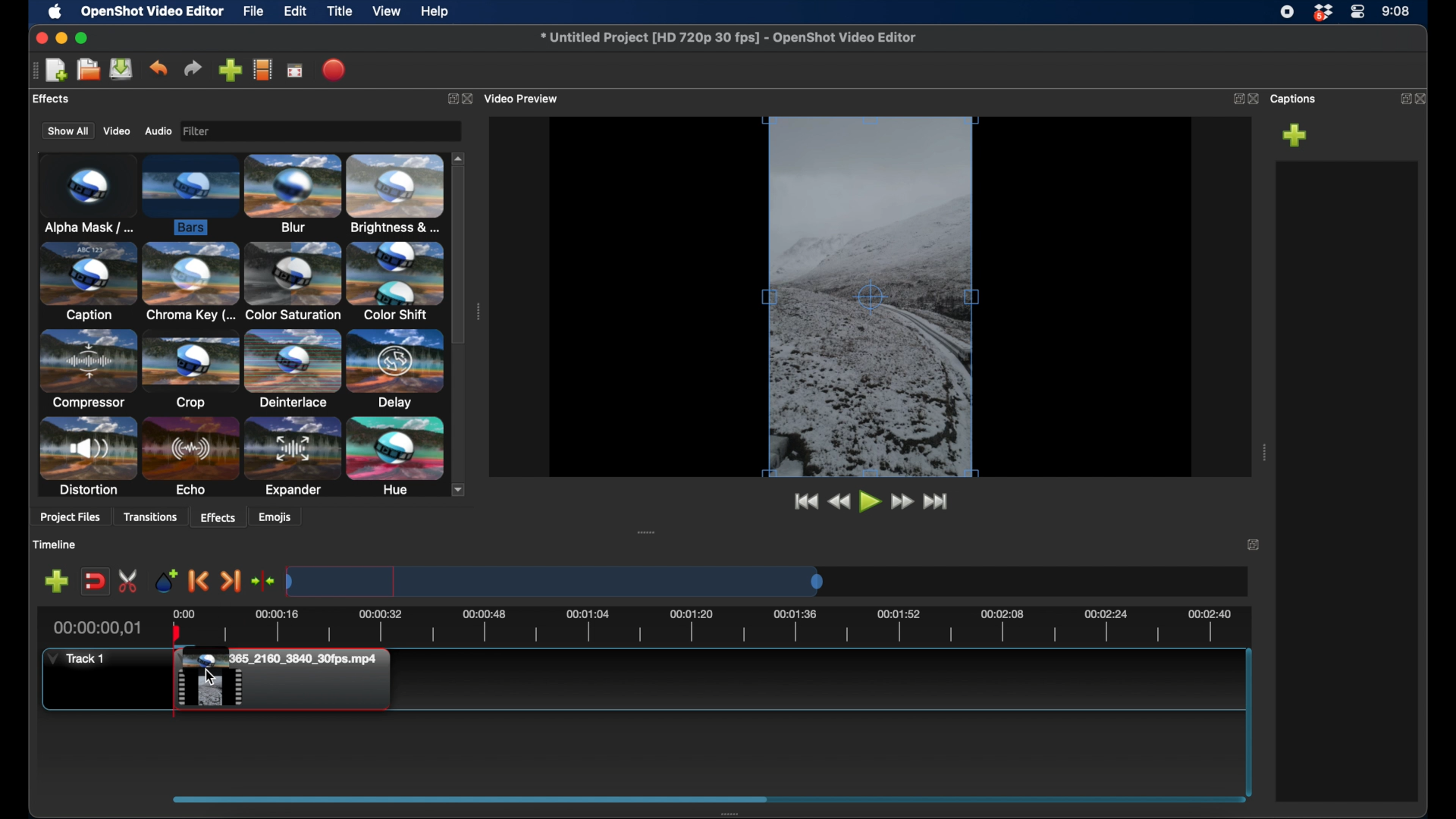 Image resolution: width=1456 pixels, height=819 pixels. What do you see at coordinates (96, 629) in the screenshot?
I see `current time indicator` at bounding box center [96, 629].